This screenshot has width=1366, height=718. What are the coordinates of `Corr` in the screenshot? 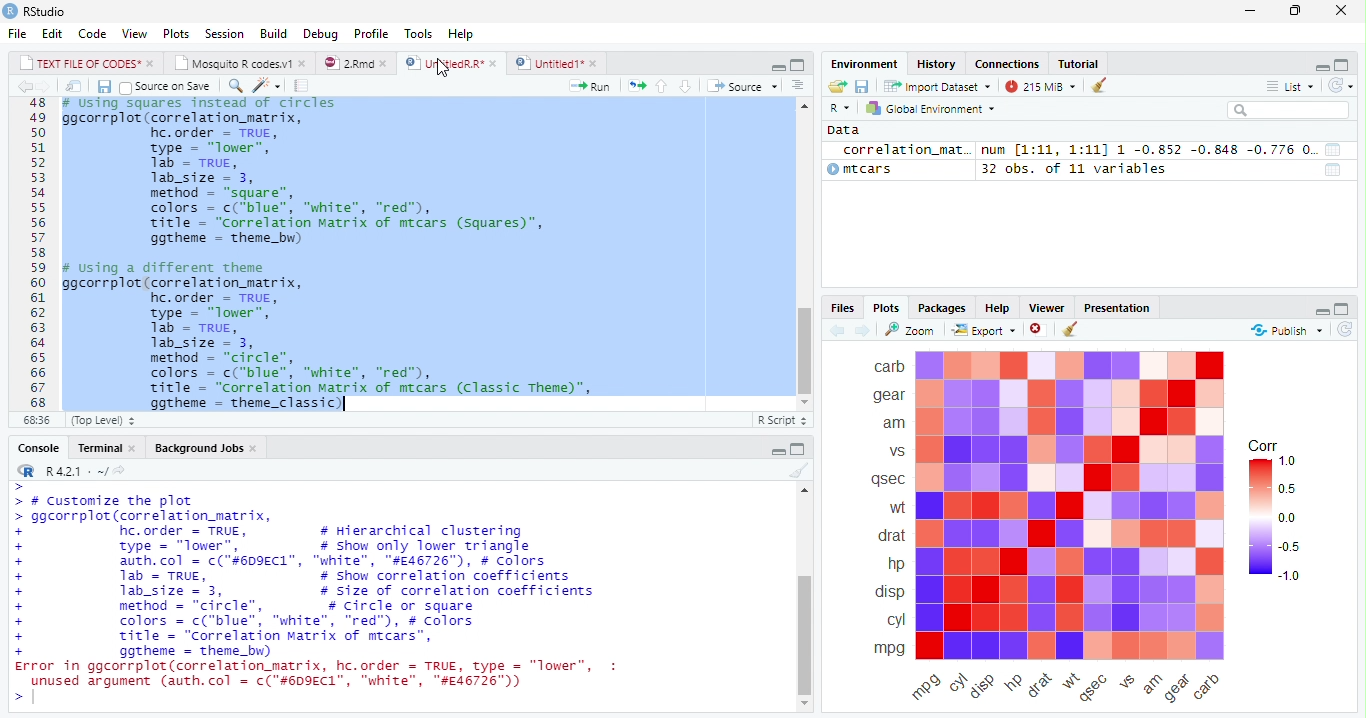 It's located at (1261, 445).